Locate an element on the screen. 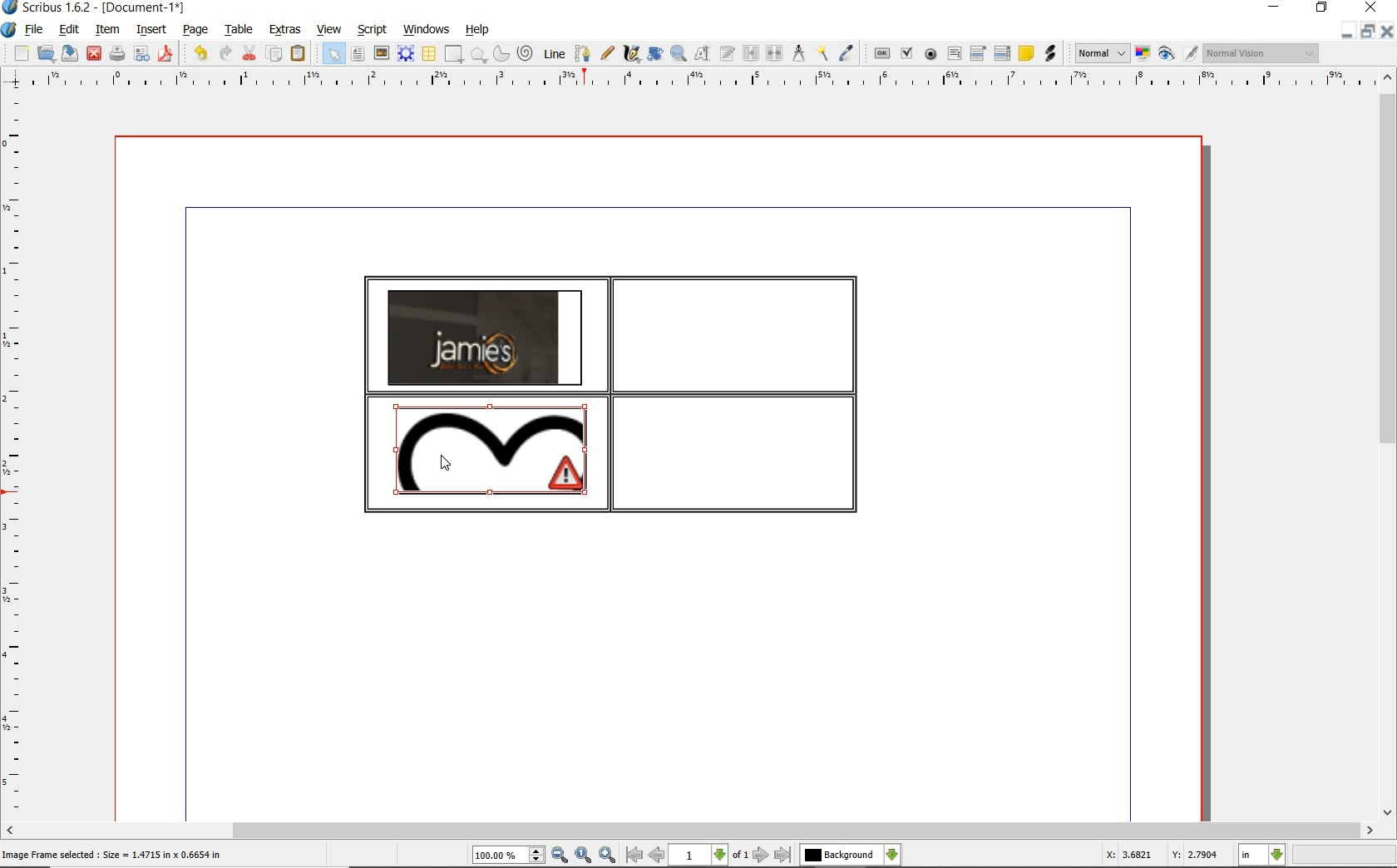  line is located at coordinates (555, 52).